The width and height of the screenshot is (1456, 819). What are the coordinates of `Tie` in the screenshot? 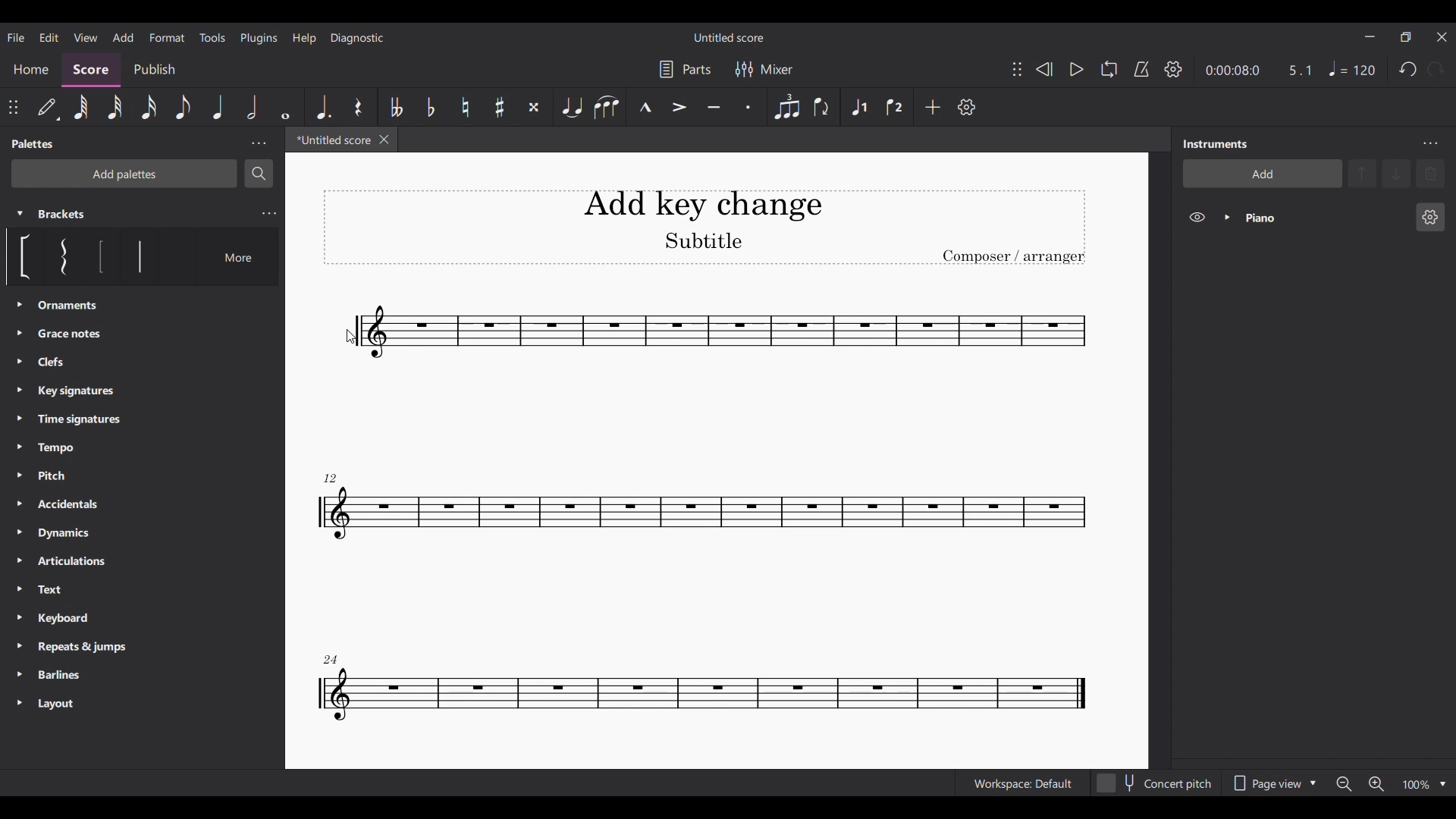 It's located at (573, 107).